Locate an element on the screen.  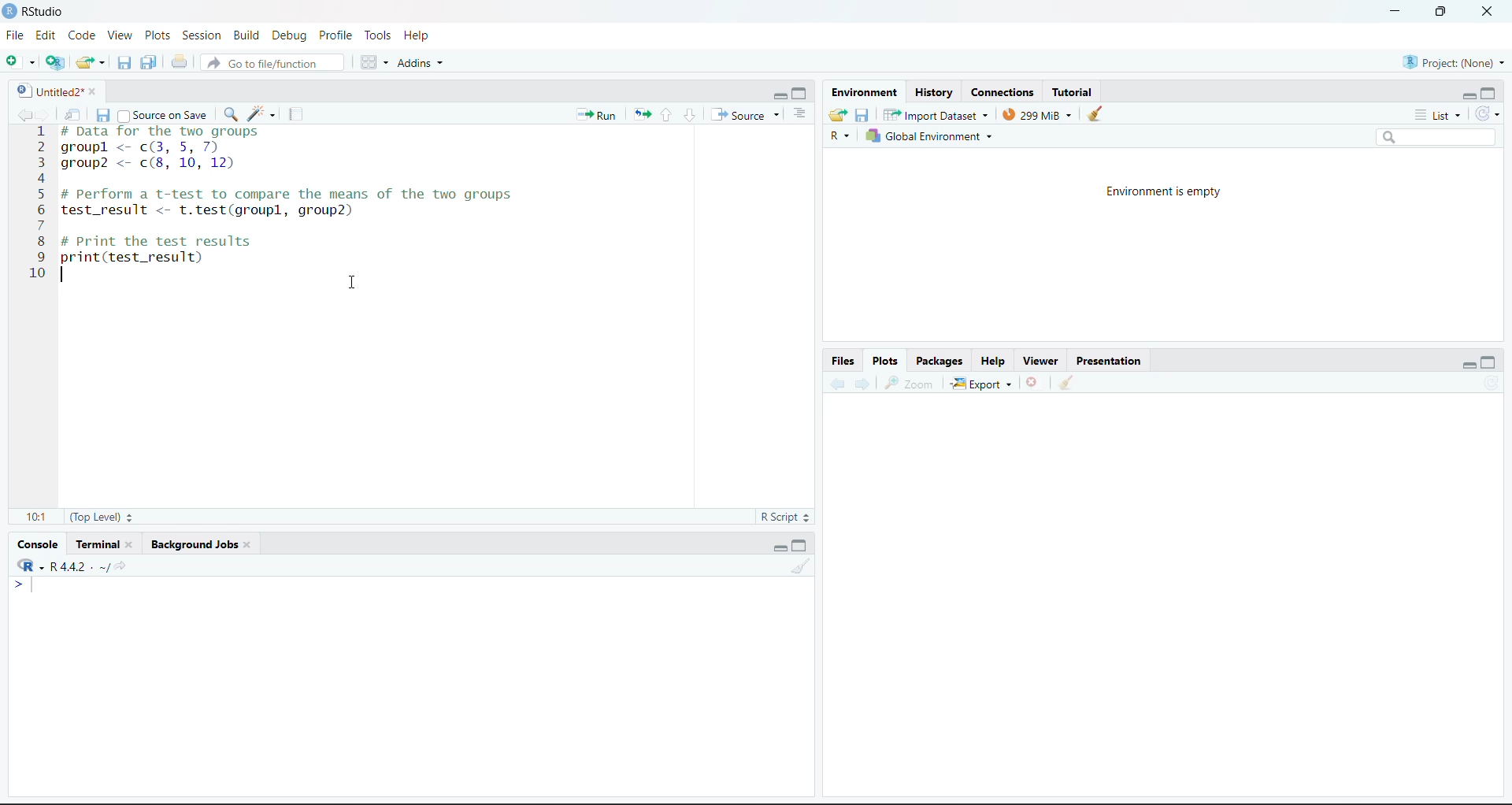
Viewer is located at coordinates (1043, 359).